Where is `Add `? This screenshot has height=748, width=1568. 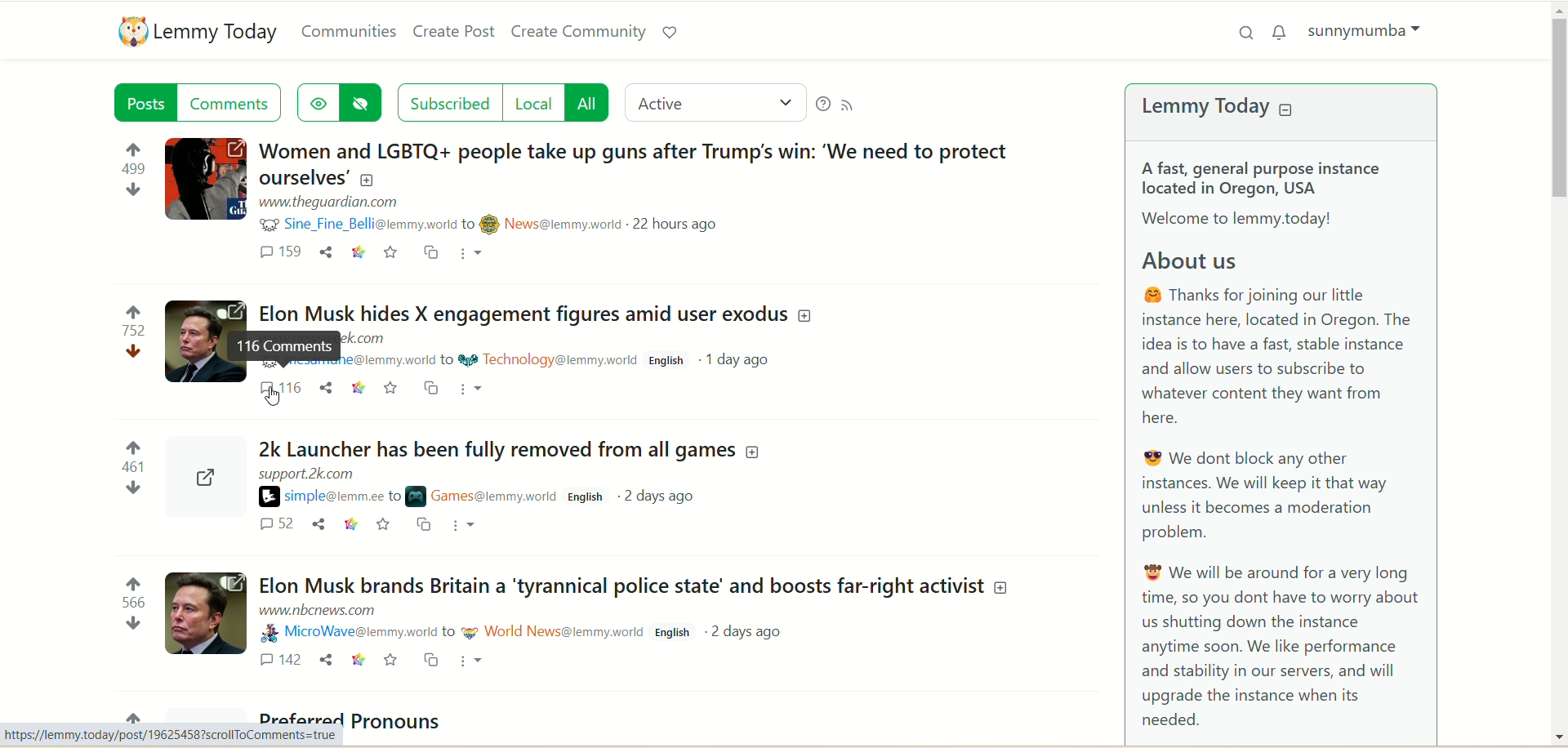
Add  is located at coordinates (1002, 588).